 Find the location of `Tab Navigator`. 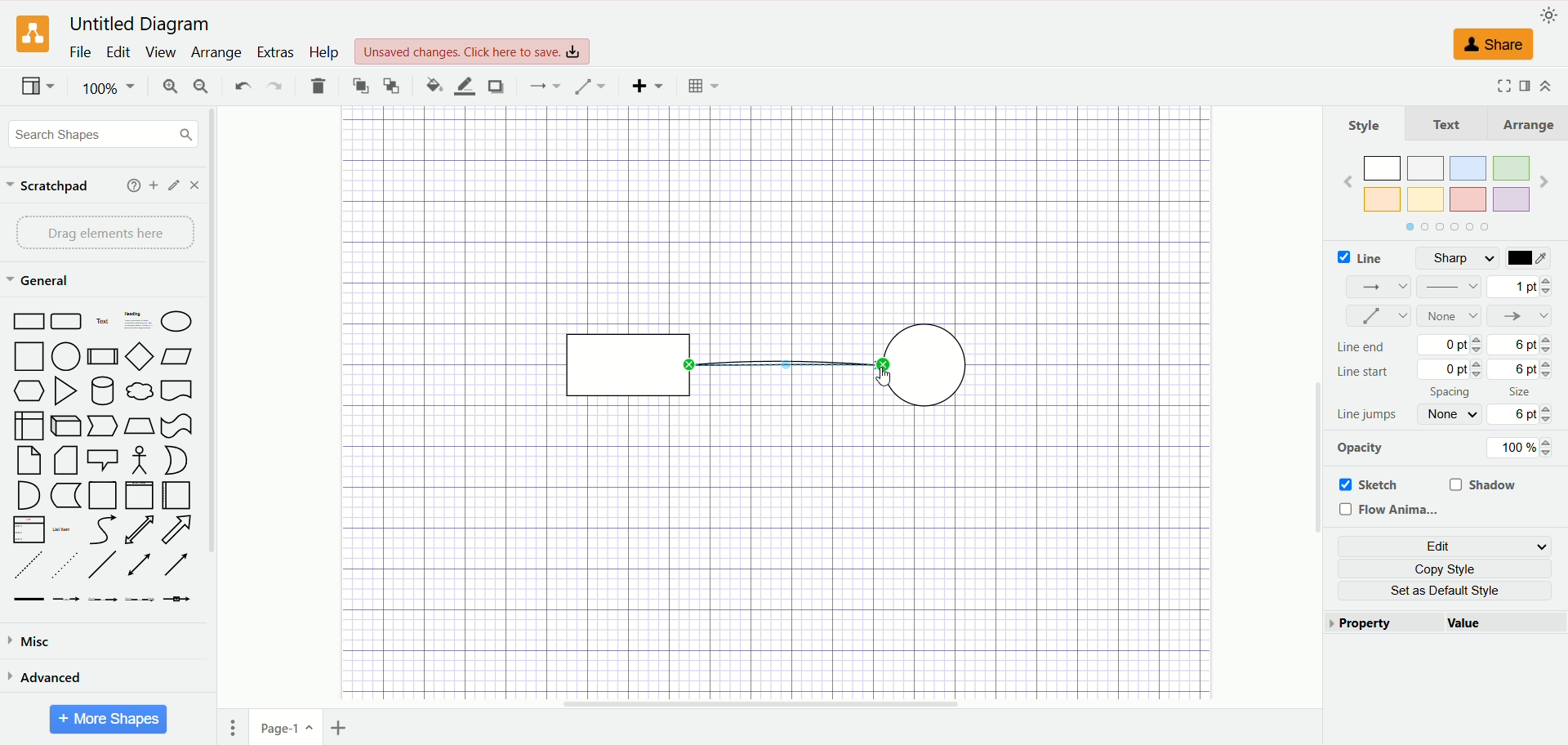

Tab Navigator is located at coordinates (1452, 228).